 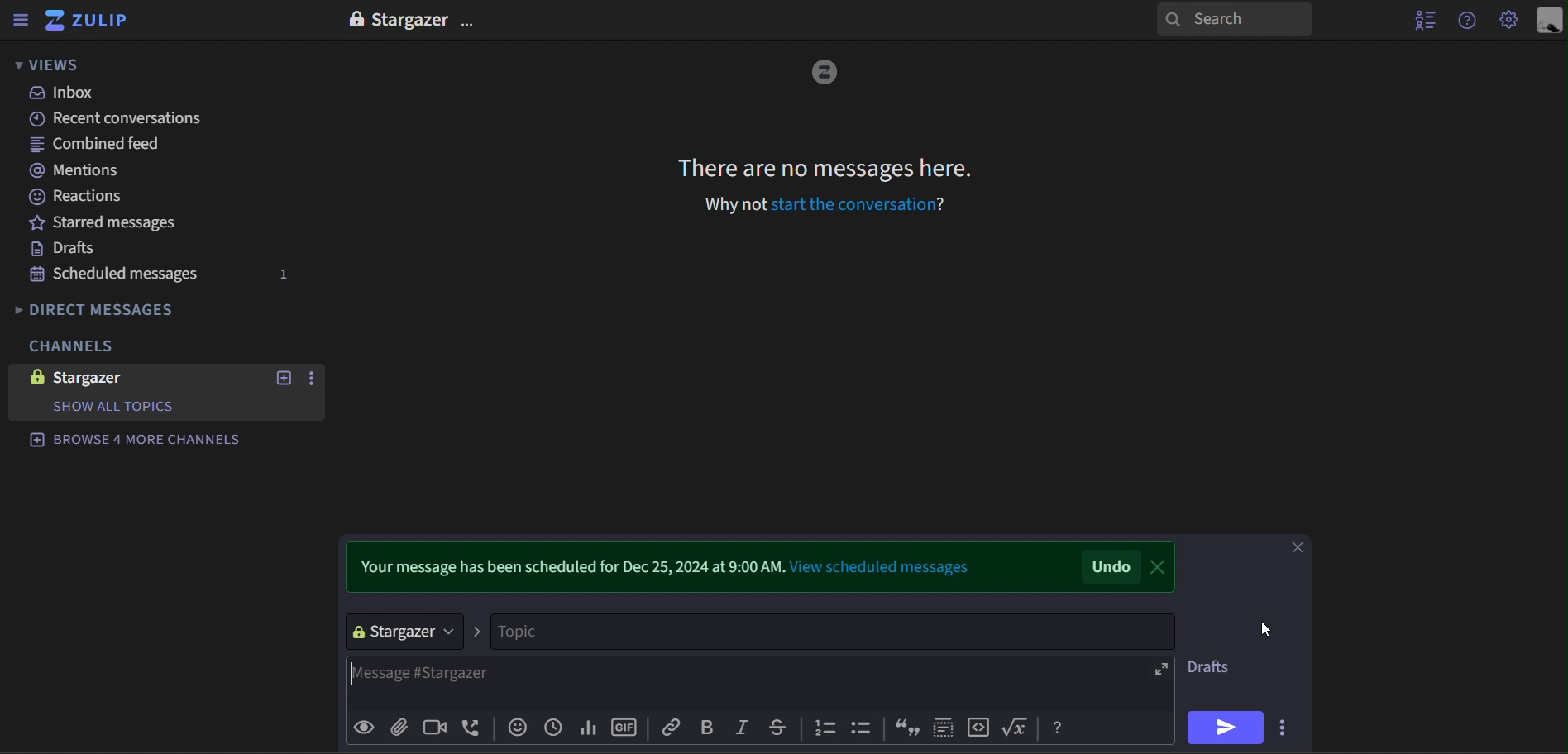 I want to click on reactions, so click(x=120, y=198).